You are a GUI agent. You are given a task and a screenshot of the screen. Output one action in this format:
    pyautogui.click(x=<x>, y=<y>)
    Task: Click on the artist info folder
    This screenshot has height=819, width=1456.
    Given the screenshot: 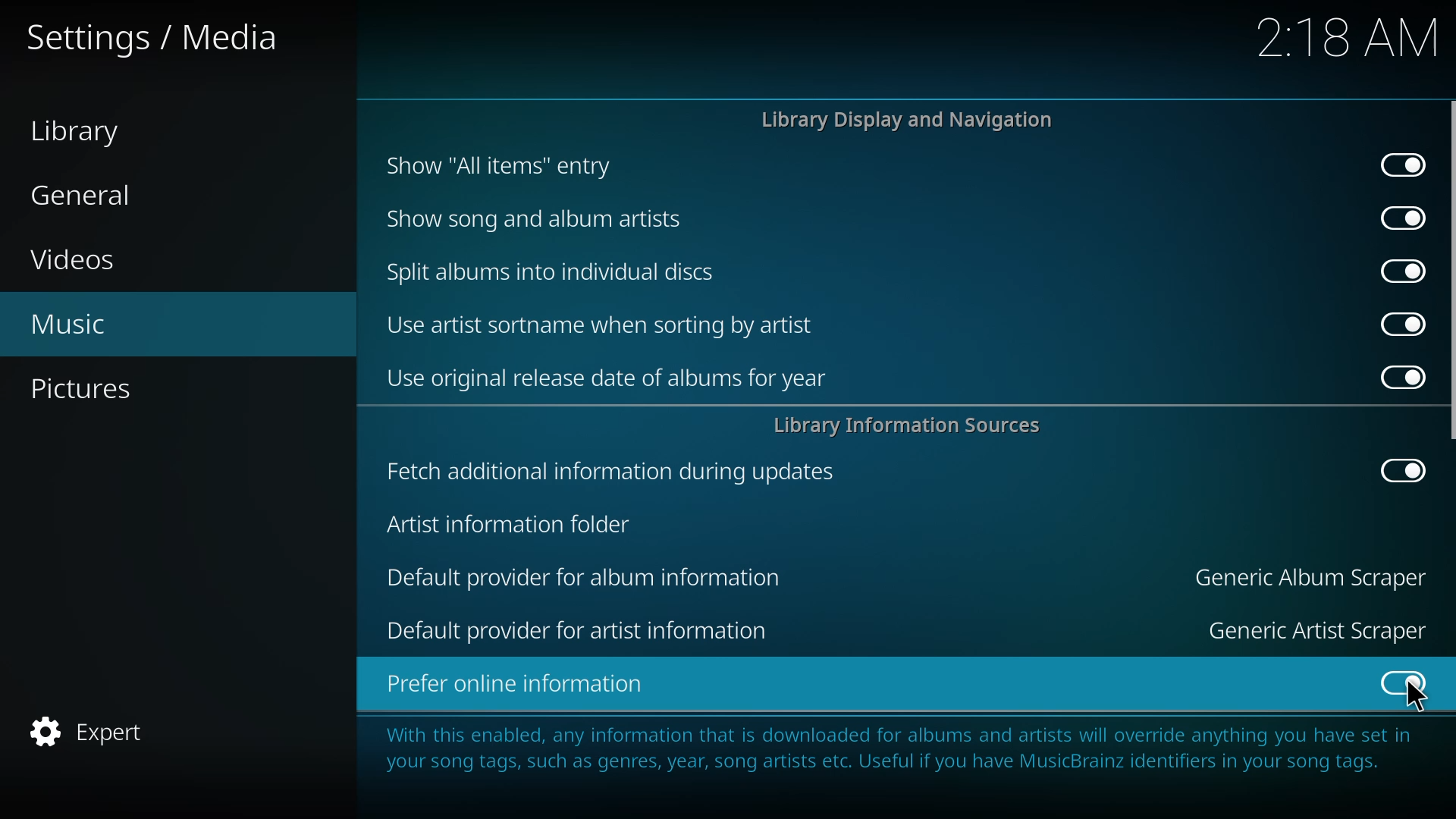 What is the action you would take?
    pyautogui.click(x=516, y=523)
    